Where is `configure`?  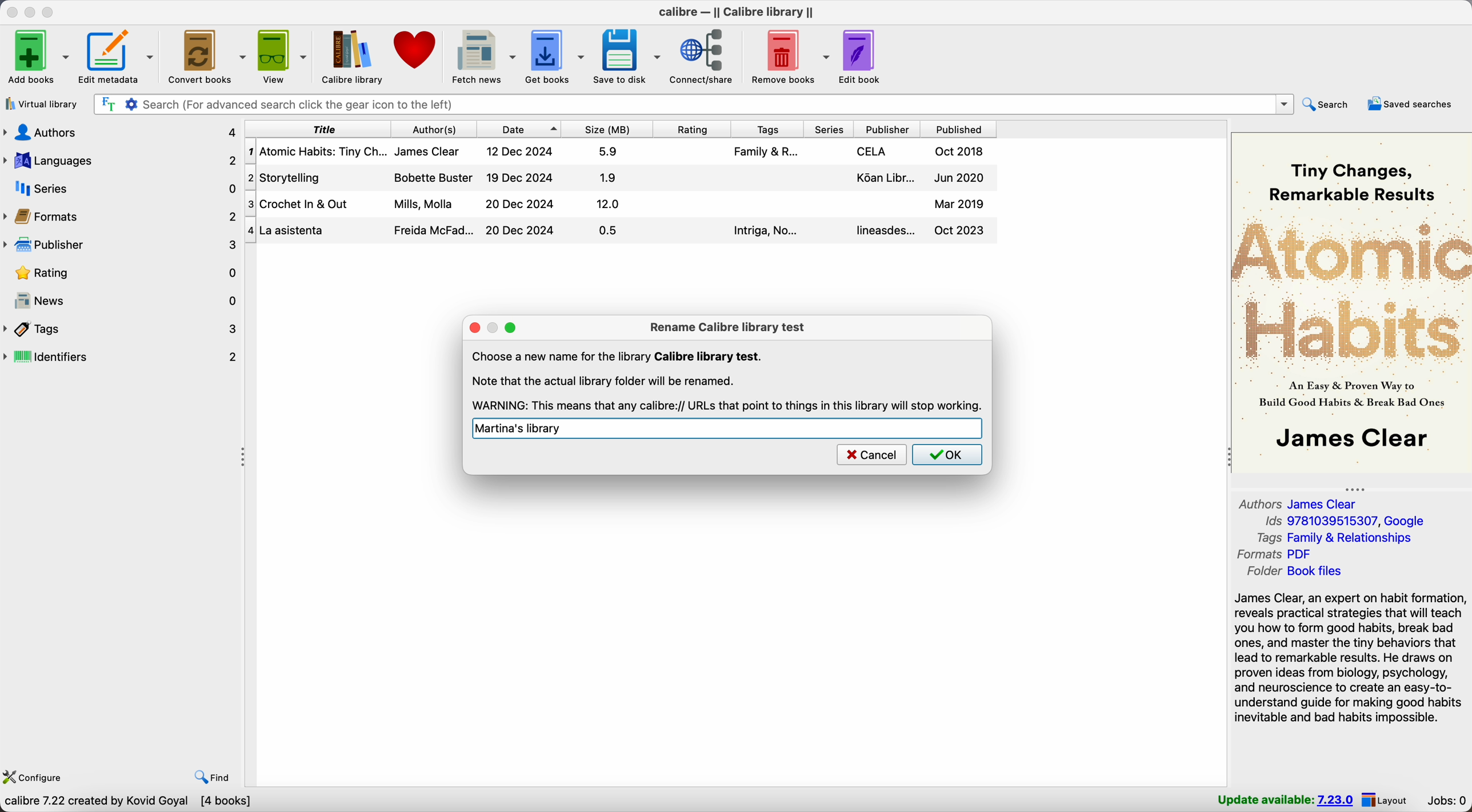 configure is located at coordinates (37, 775).